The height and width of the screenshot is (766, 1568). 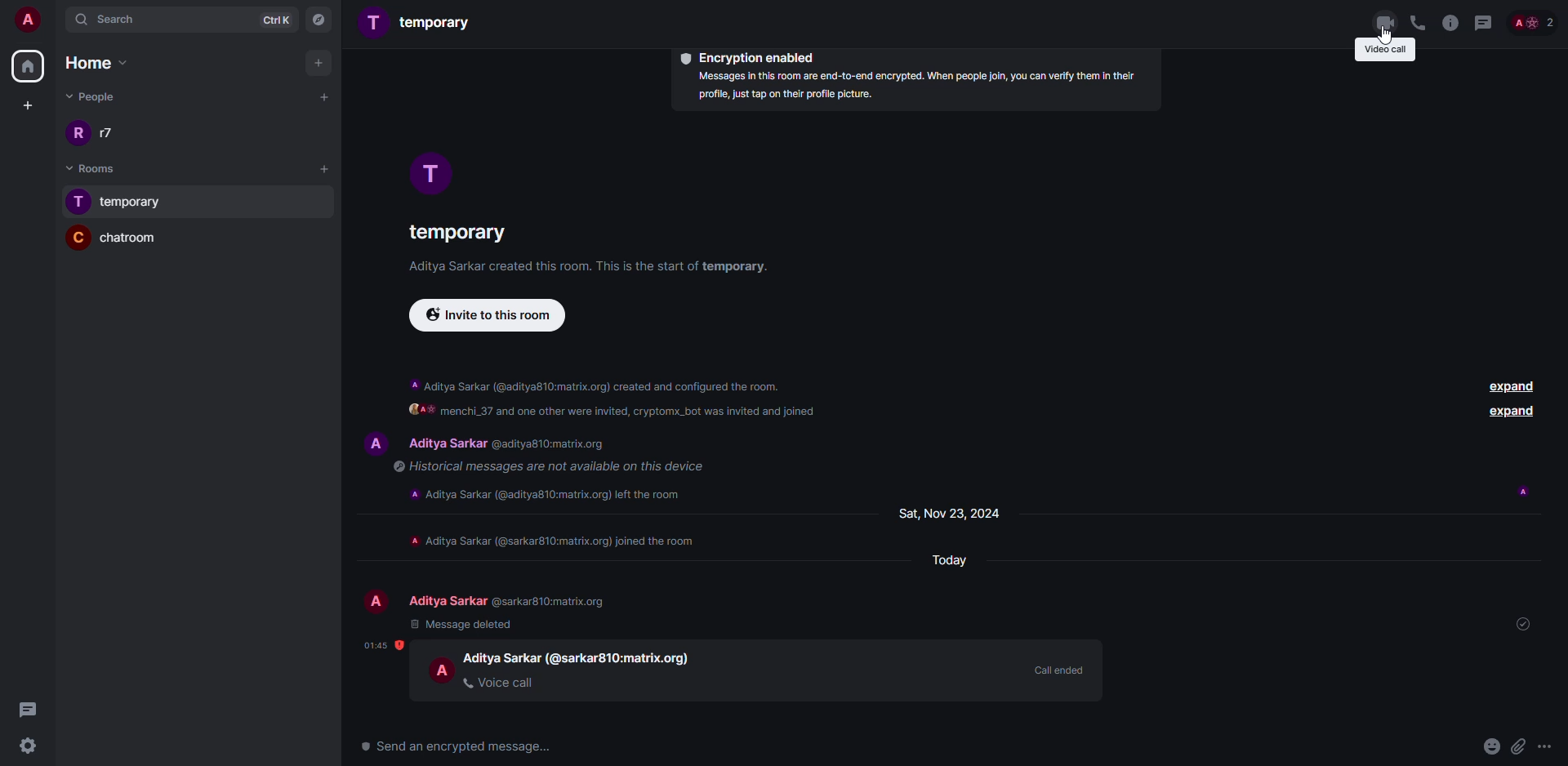 I want to click on people, so click(x=1534, y=22).